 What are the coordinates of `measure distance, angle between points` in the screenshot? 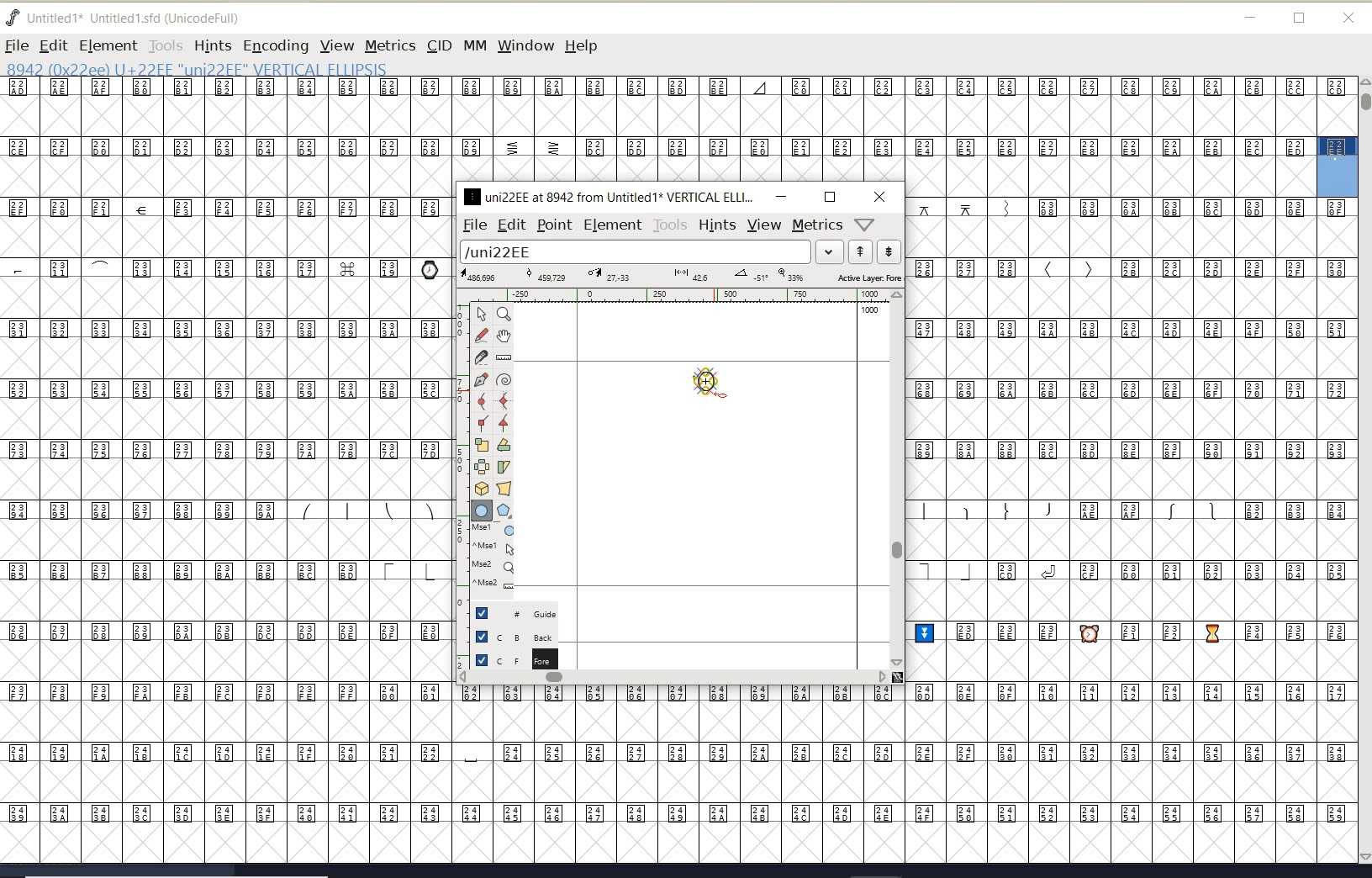 It's located at (504, 357).